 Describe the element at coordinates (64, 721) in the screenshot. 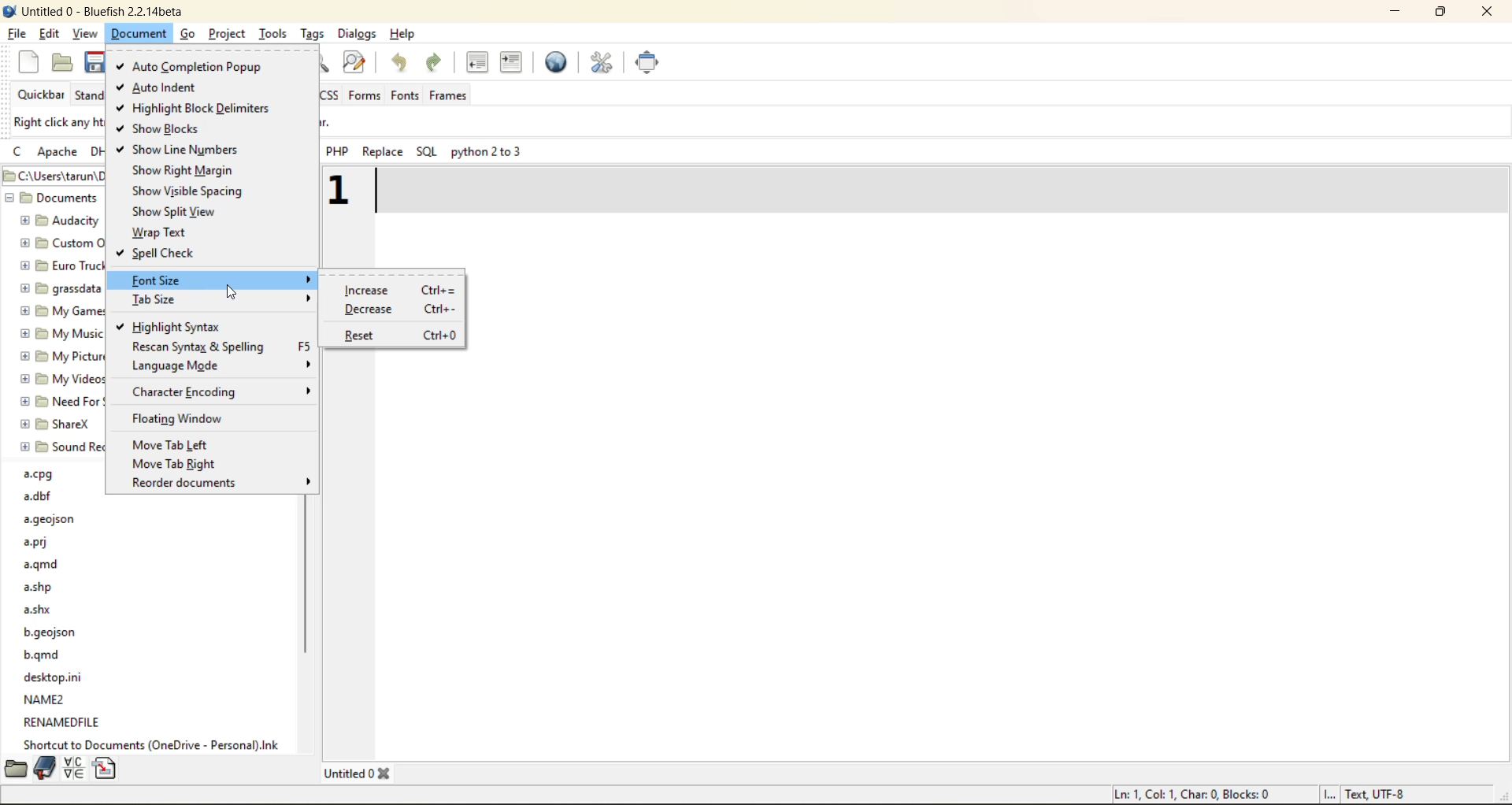

I see `renamedfile` at that location.